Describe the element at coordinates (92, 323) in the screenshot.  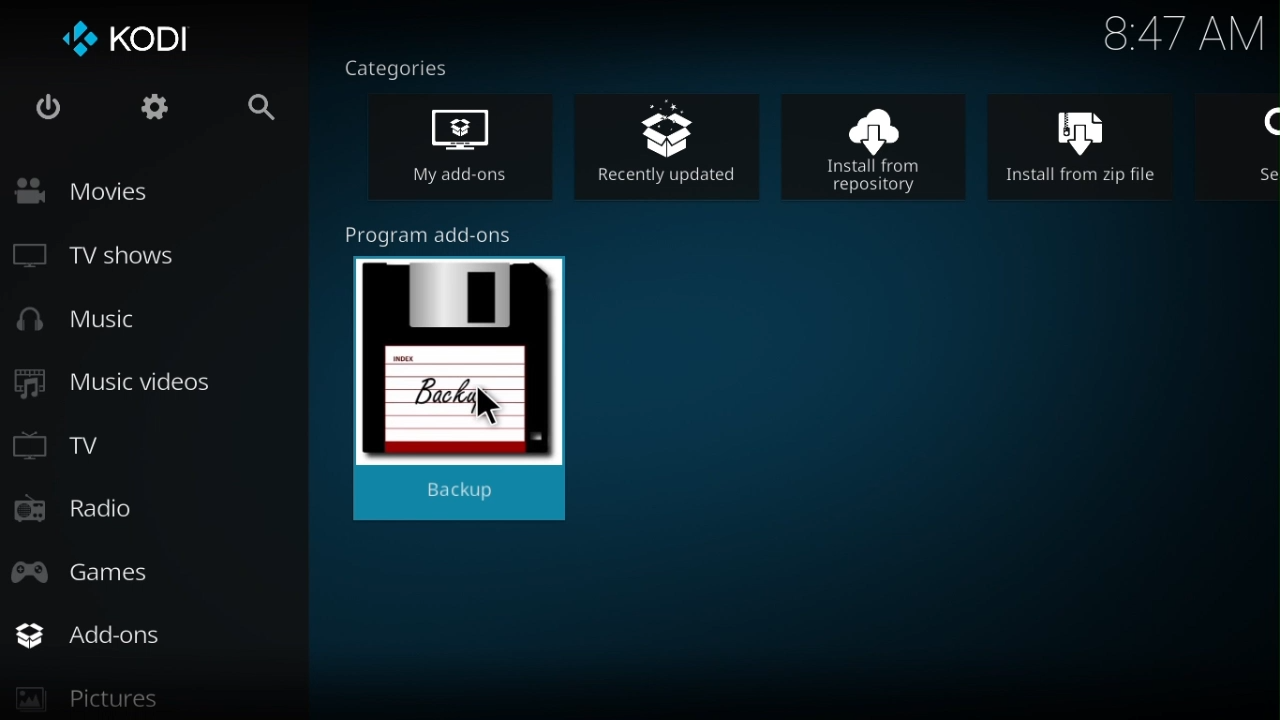
I see `Music` at that location.